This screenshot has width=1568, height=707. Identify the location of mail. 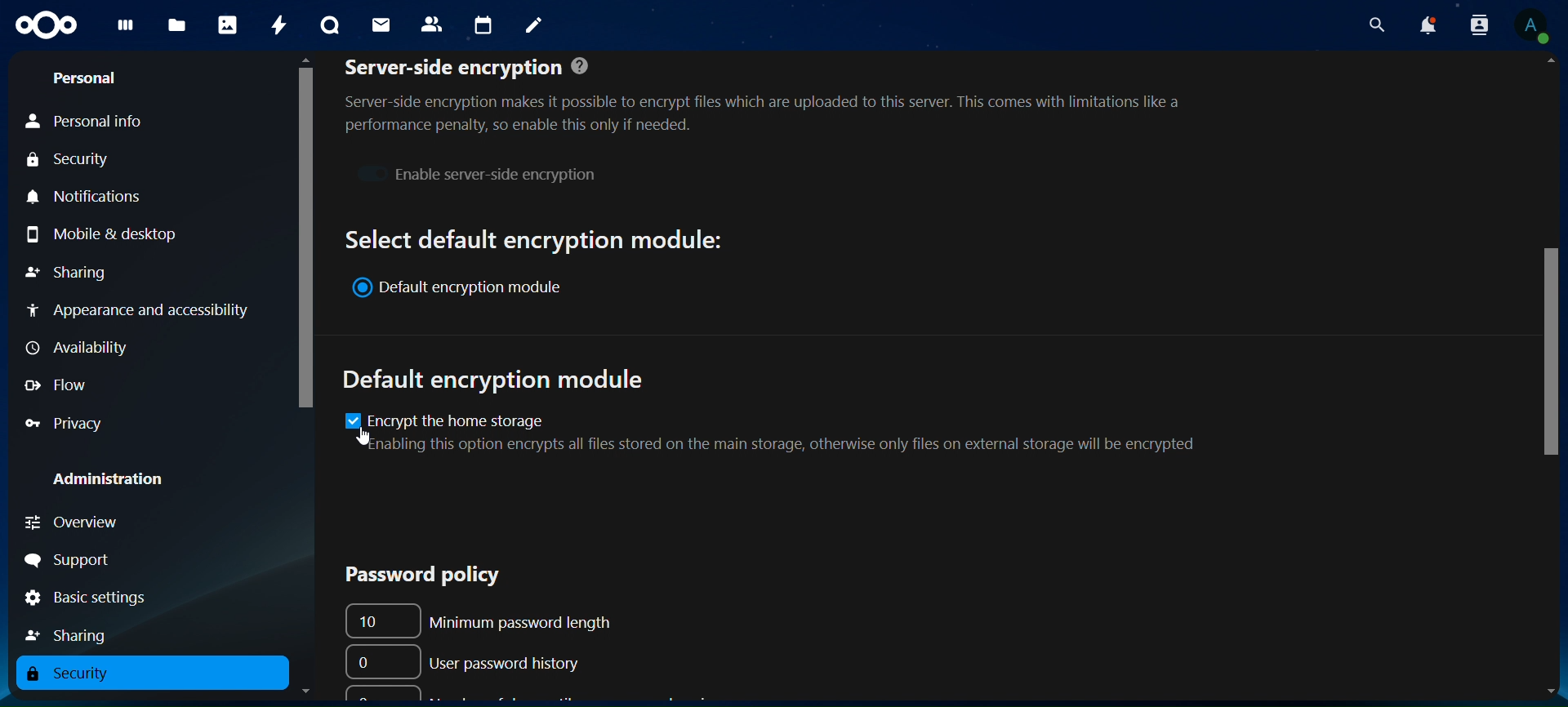
(381, 23).